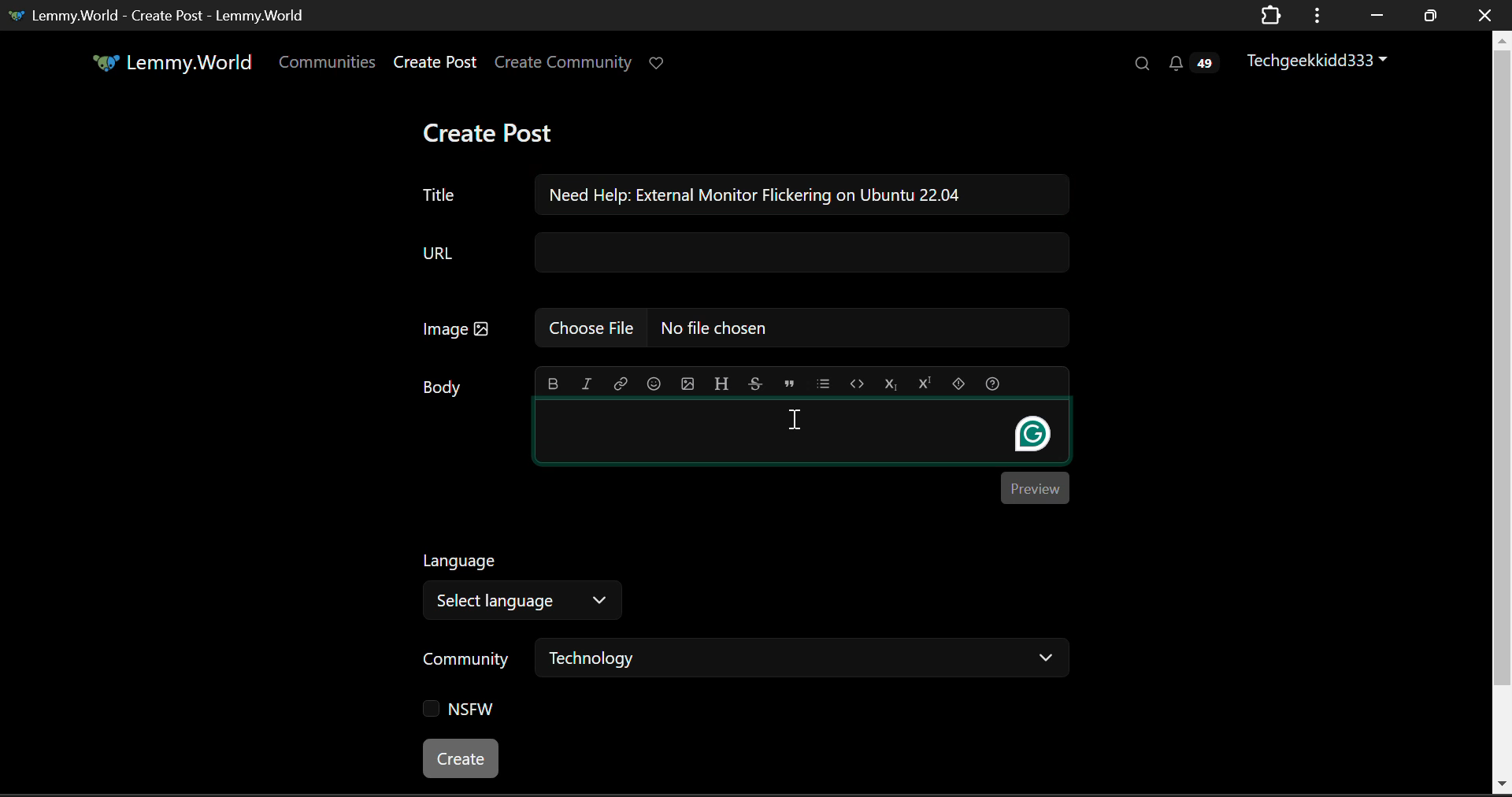 The image size is (1512, 797). Describe the element at coordinates (658, 65) in the screenshot. I see `Donate to Lemmy` at that location.